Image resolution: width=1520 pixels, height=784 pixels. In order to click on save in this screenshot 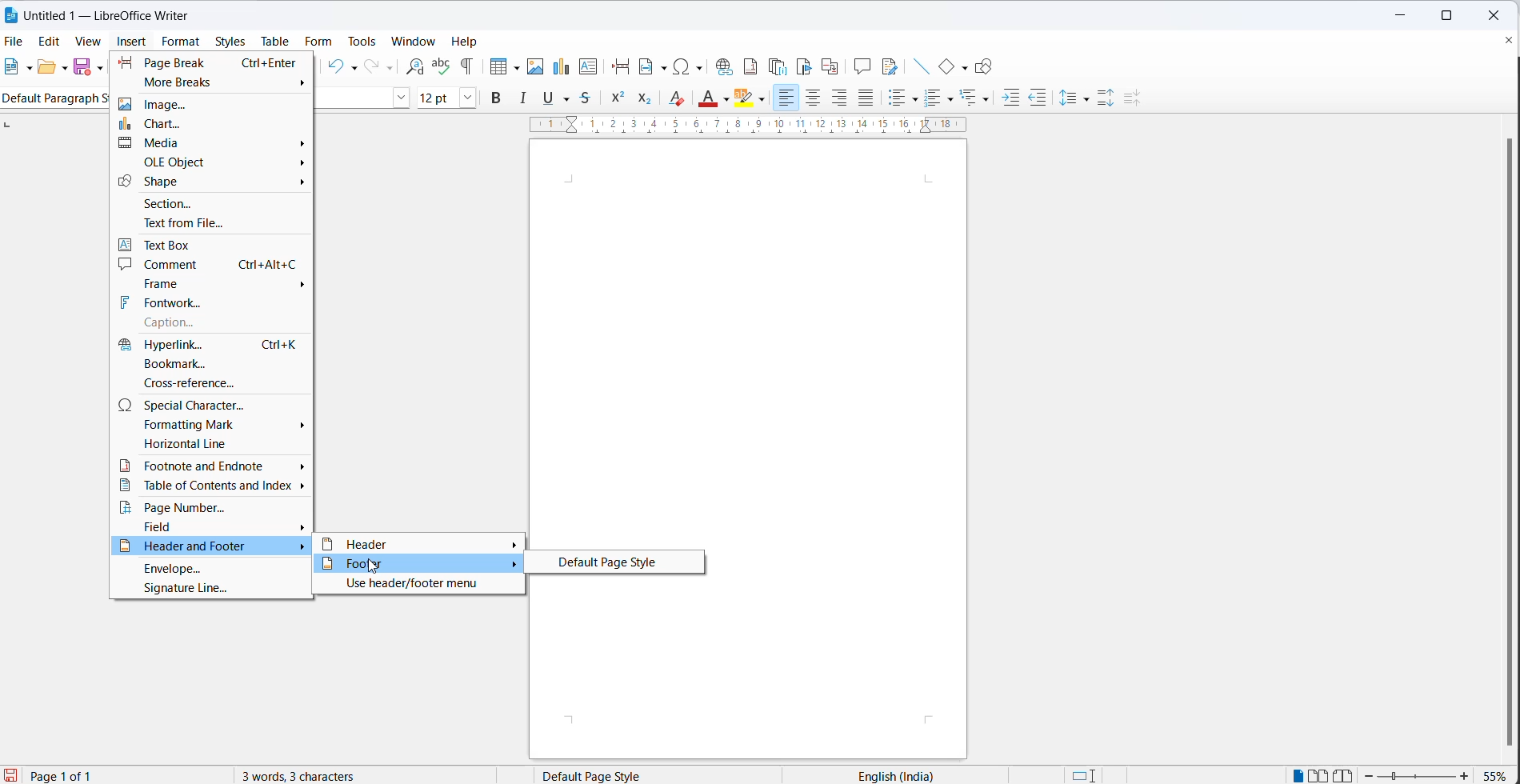, I will do `click(82, 67)`.